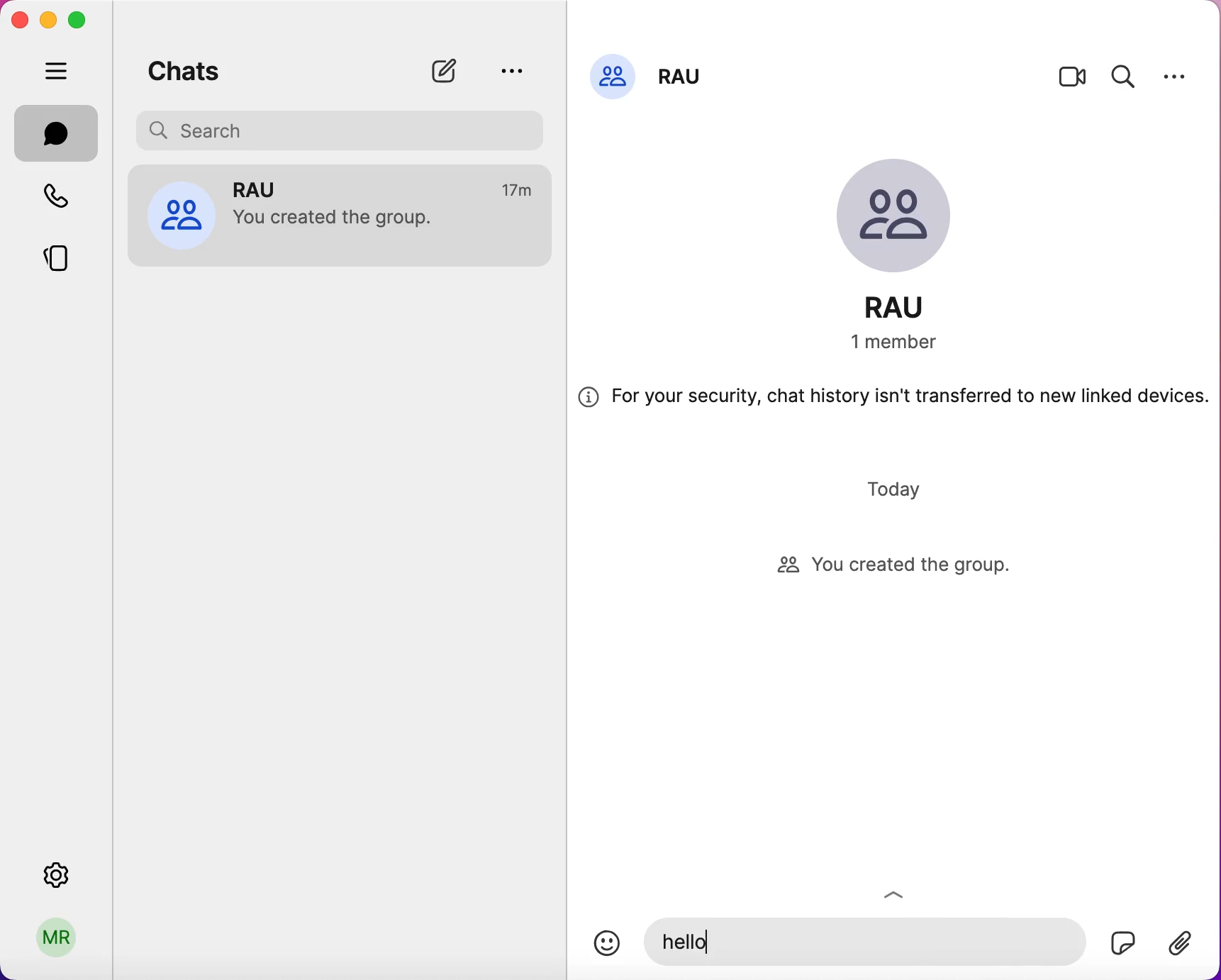  I want to click on sticker, so click(1061, 939).